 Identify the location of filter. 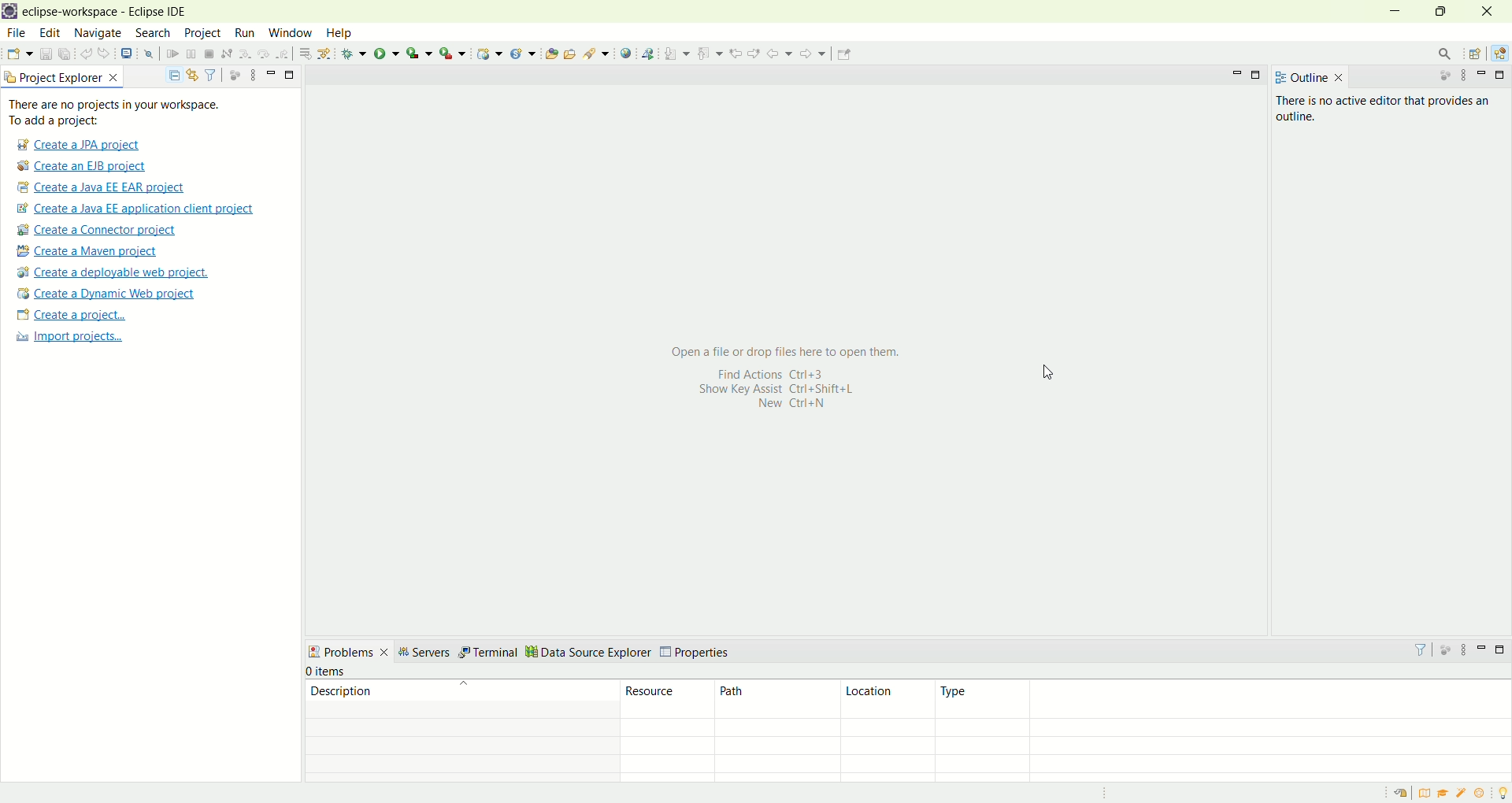
(1421, 651).